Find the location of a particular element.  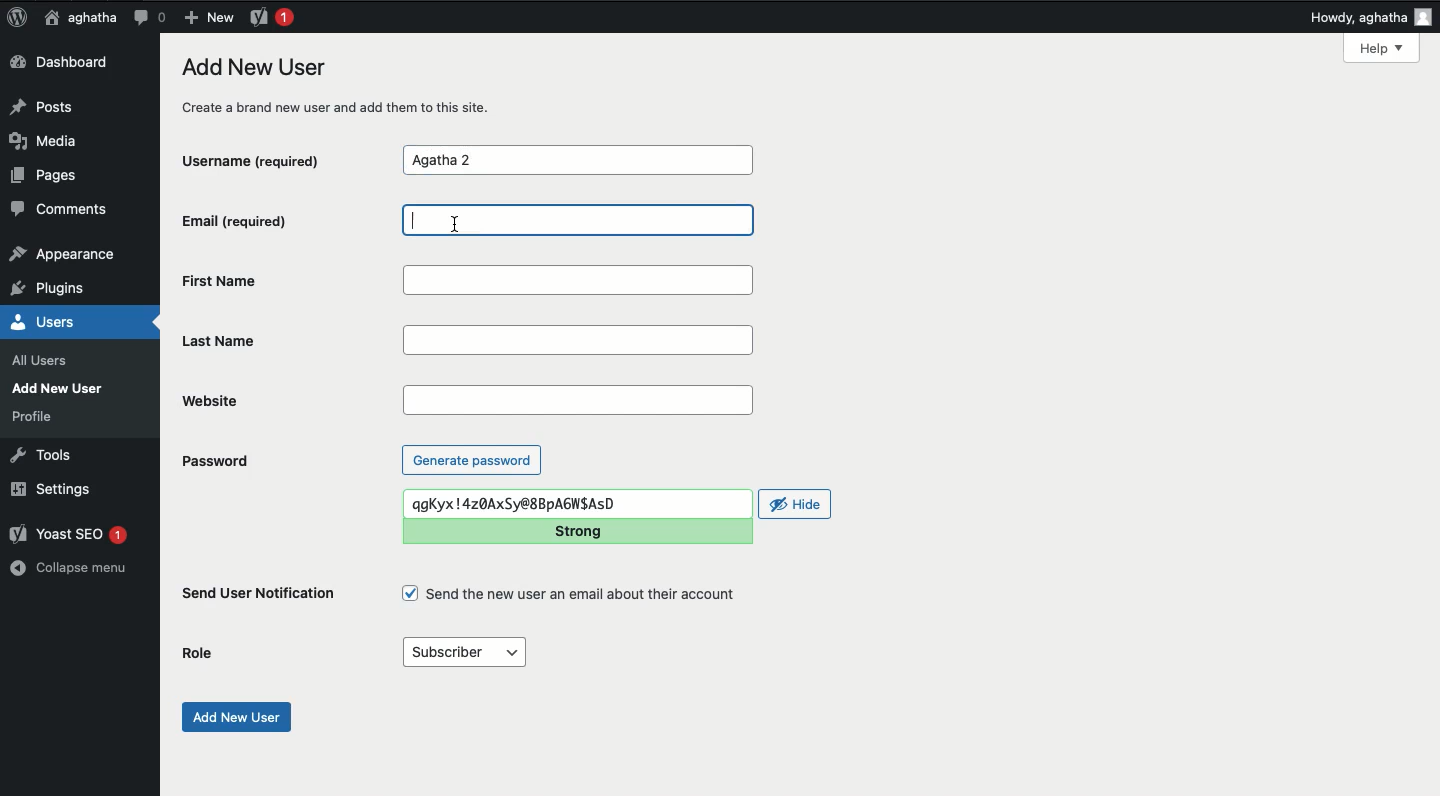

Role is located at coordinates (197, 652).